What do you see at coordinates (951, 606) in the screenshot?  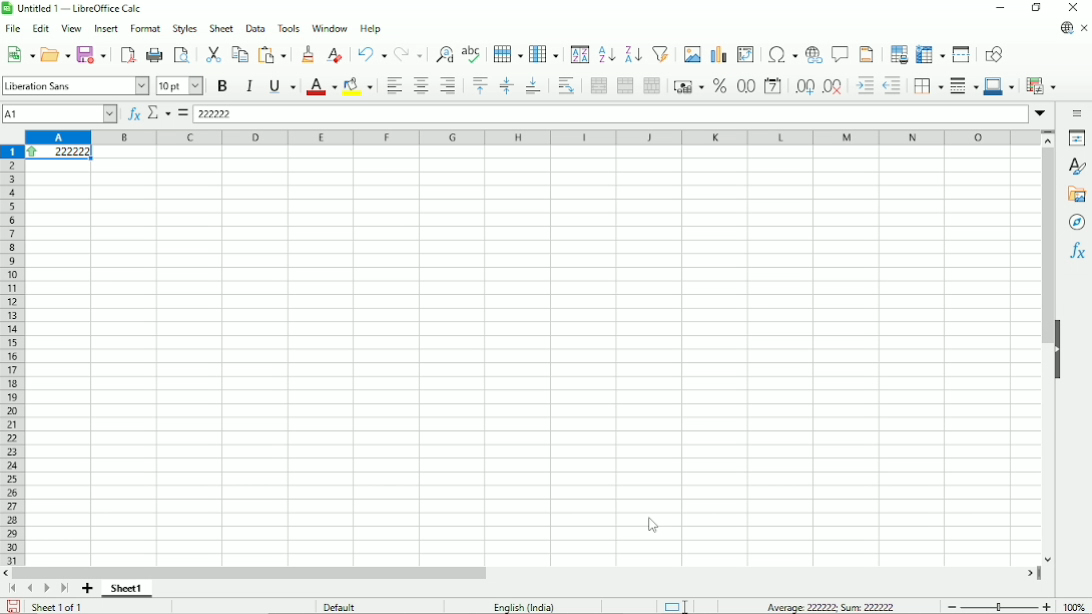 I see `zoom out` at bounding box center [951, 606].